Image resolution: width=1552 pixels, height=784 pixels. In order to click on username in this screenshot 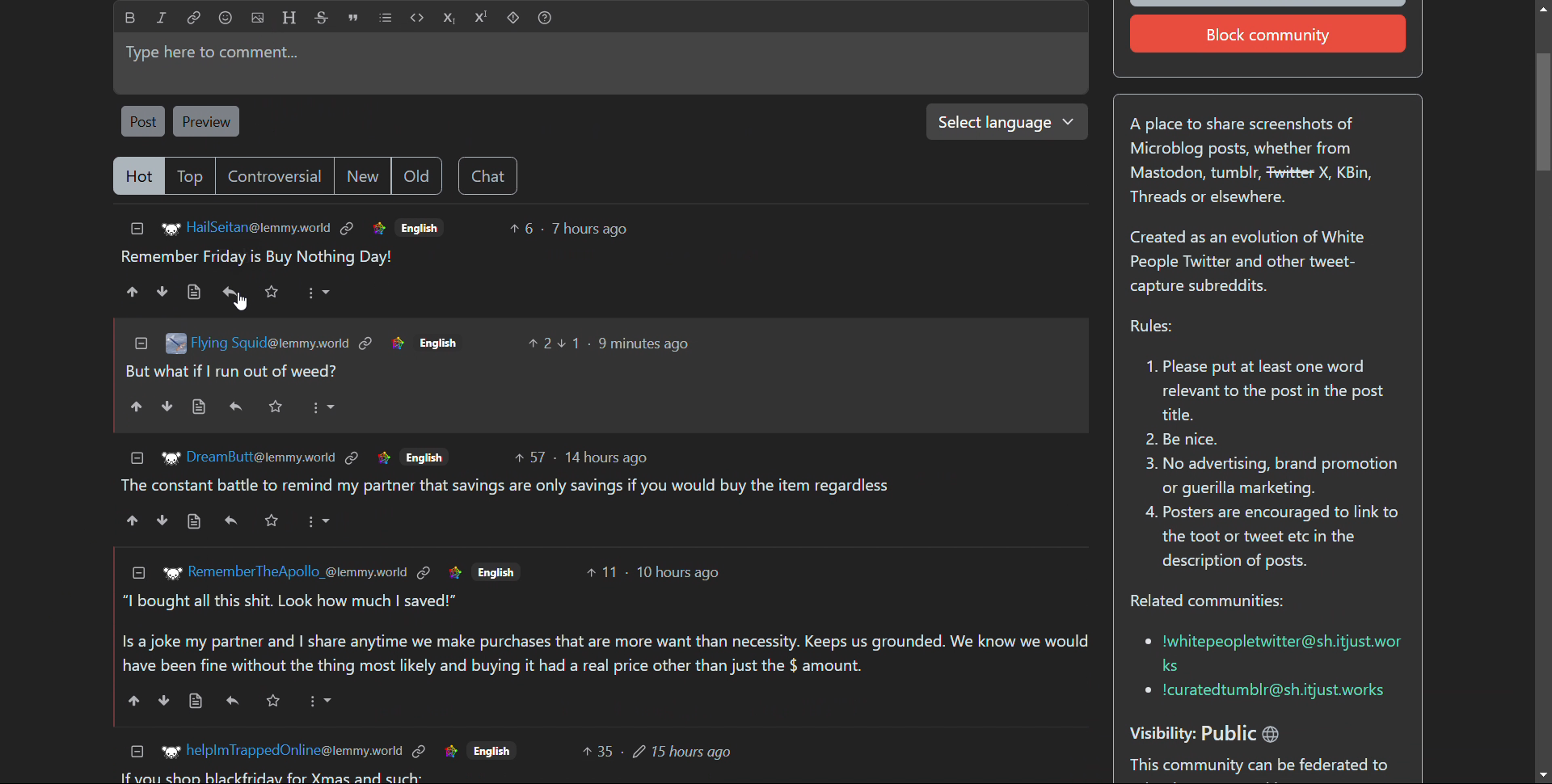, I will do `click(259, 227)`.